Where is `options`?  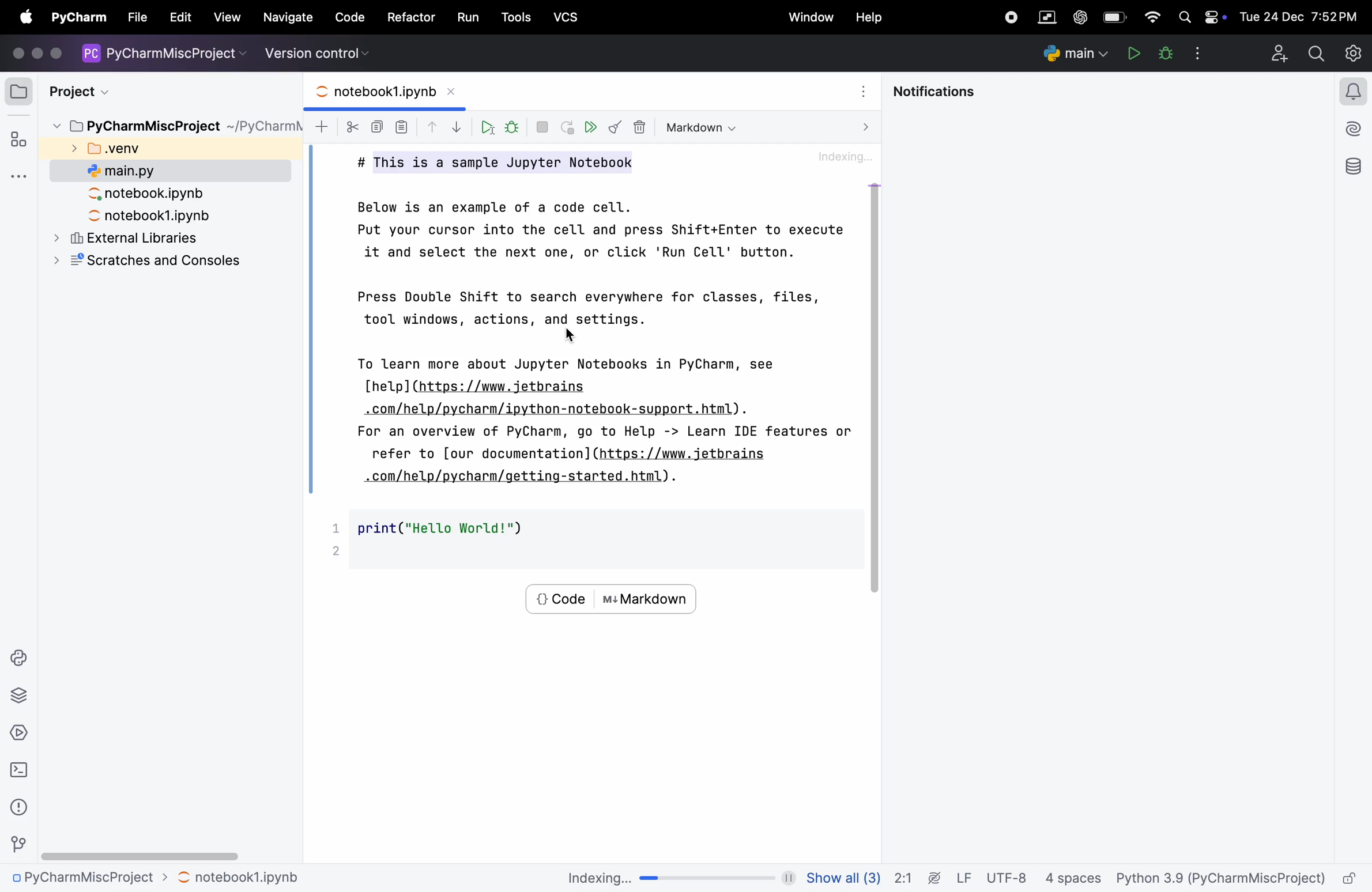 options is located at coordinates (863, 92).